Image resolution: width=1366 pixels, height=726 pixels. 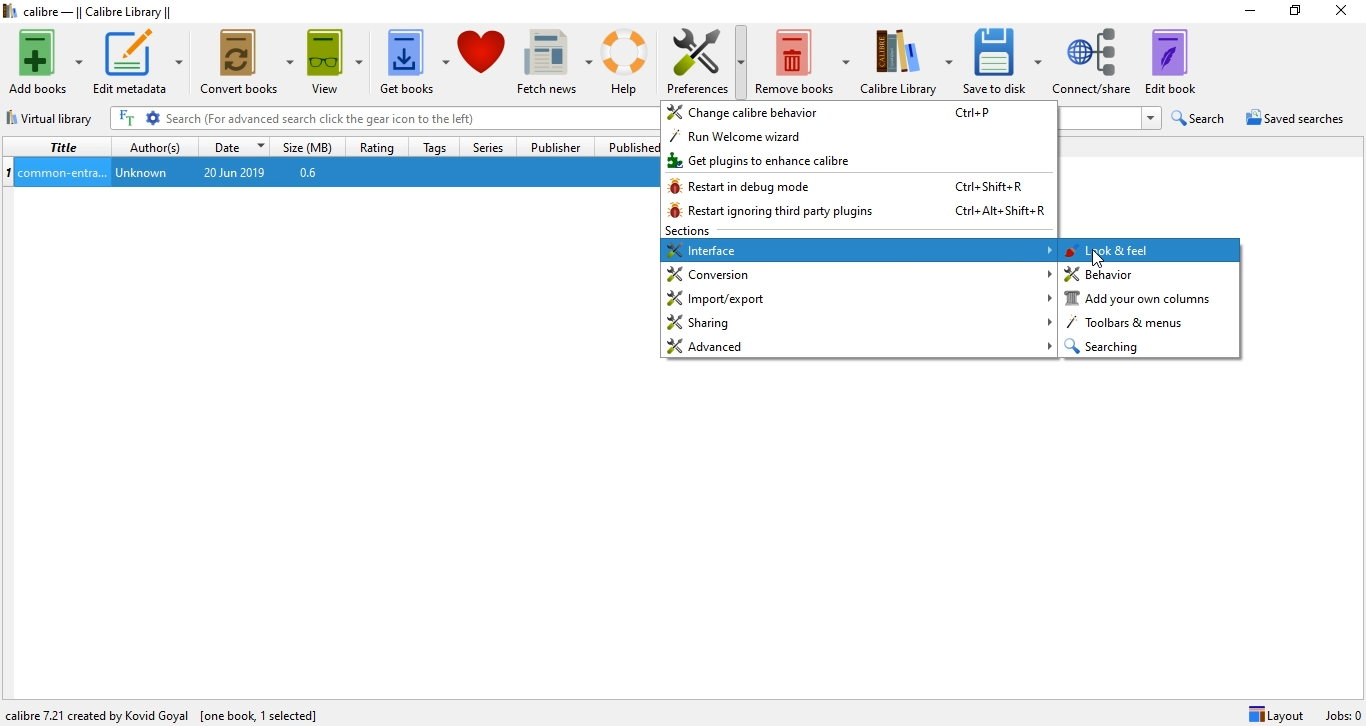 What do you see at coordinates (857, 213) in the screenshot?
I see `restart ignoring third party plugins` at bounding box center [857, 213].